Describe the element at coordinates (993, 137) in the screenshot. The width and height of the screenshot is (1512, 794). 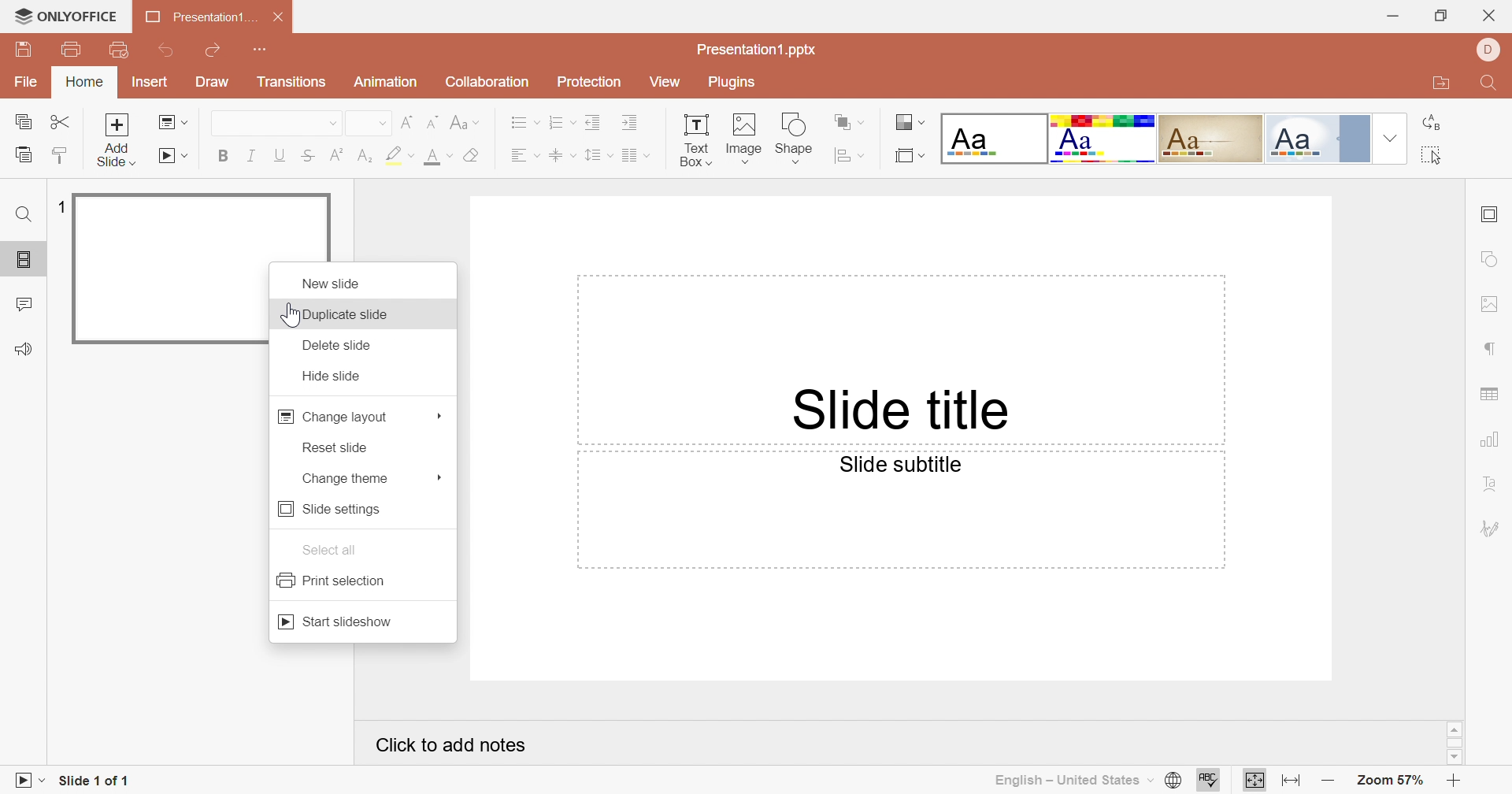
I see `Blank` at that location.